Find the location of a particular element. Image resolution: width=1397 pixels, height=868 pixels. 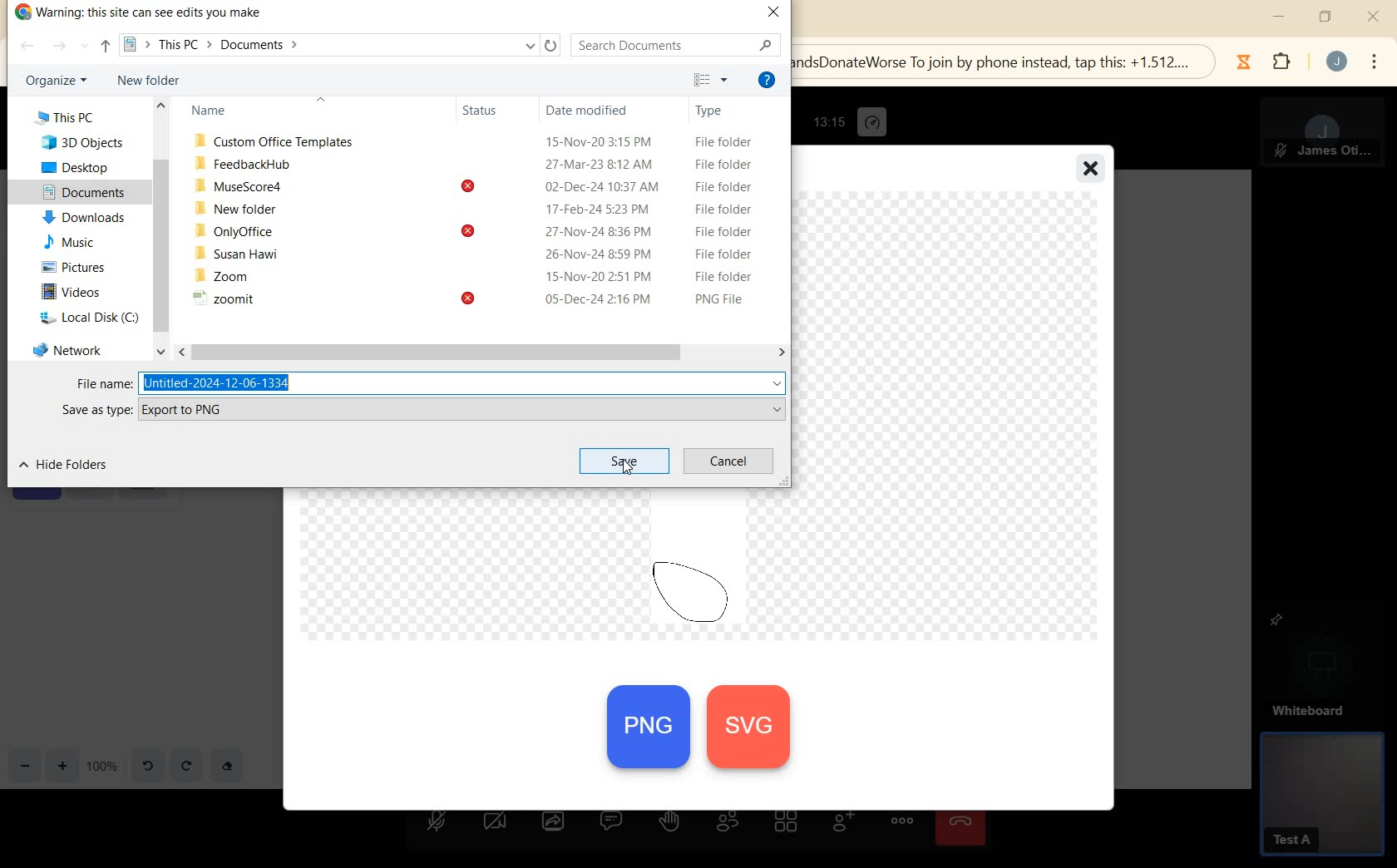

close is located at coordinates (1372, 17).